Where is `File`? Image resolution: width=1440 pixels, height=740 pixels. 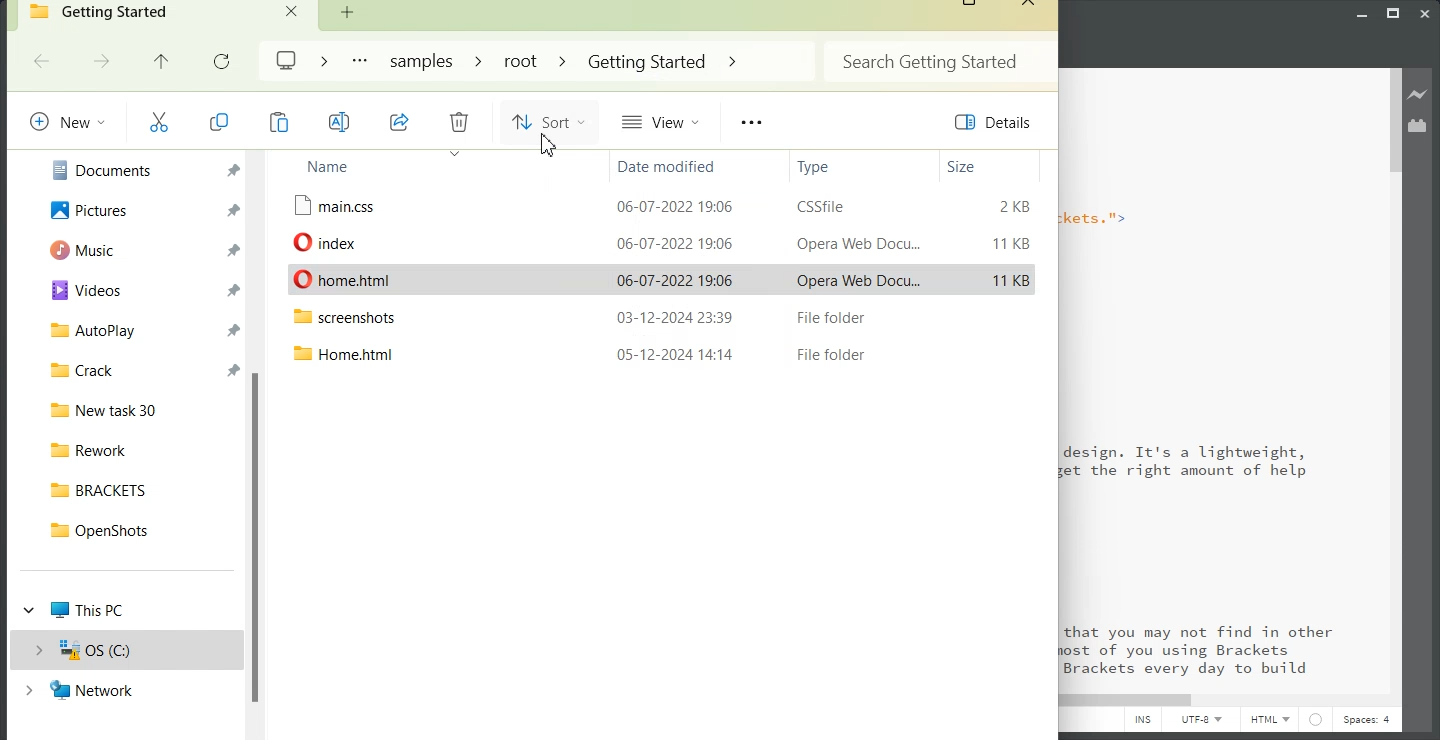
File is located at coordinates (581, 355).